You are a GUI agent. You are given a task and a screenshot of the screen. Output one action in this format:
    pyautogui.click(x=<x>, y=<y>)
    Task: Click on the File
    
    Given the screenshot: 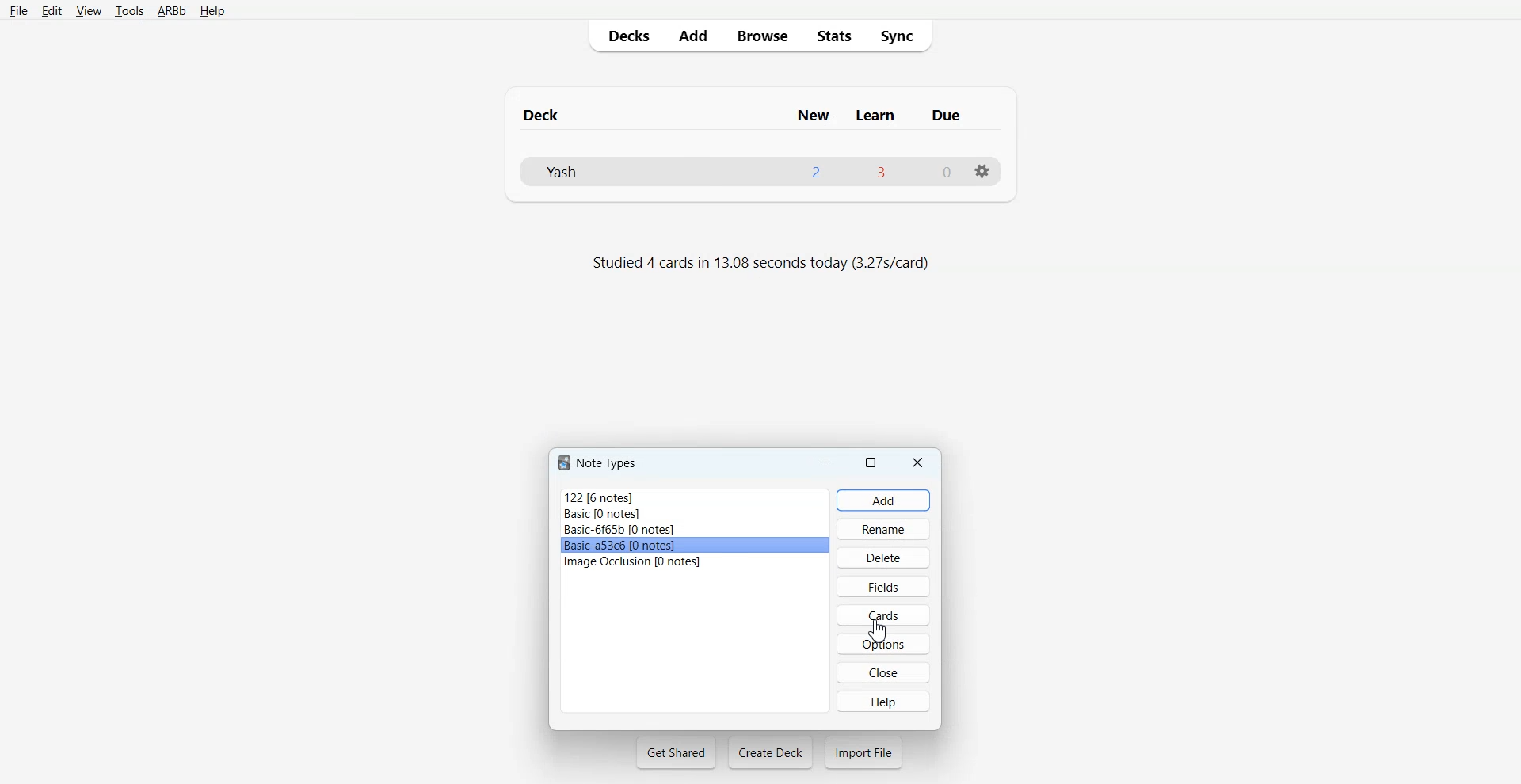 What is the action you would take?
    pyautogui.click(x=18, y=10)
    